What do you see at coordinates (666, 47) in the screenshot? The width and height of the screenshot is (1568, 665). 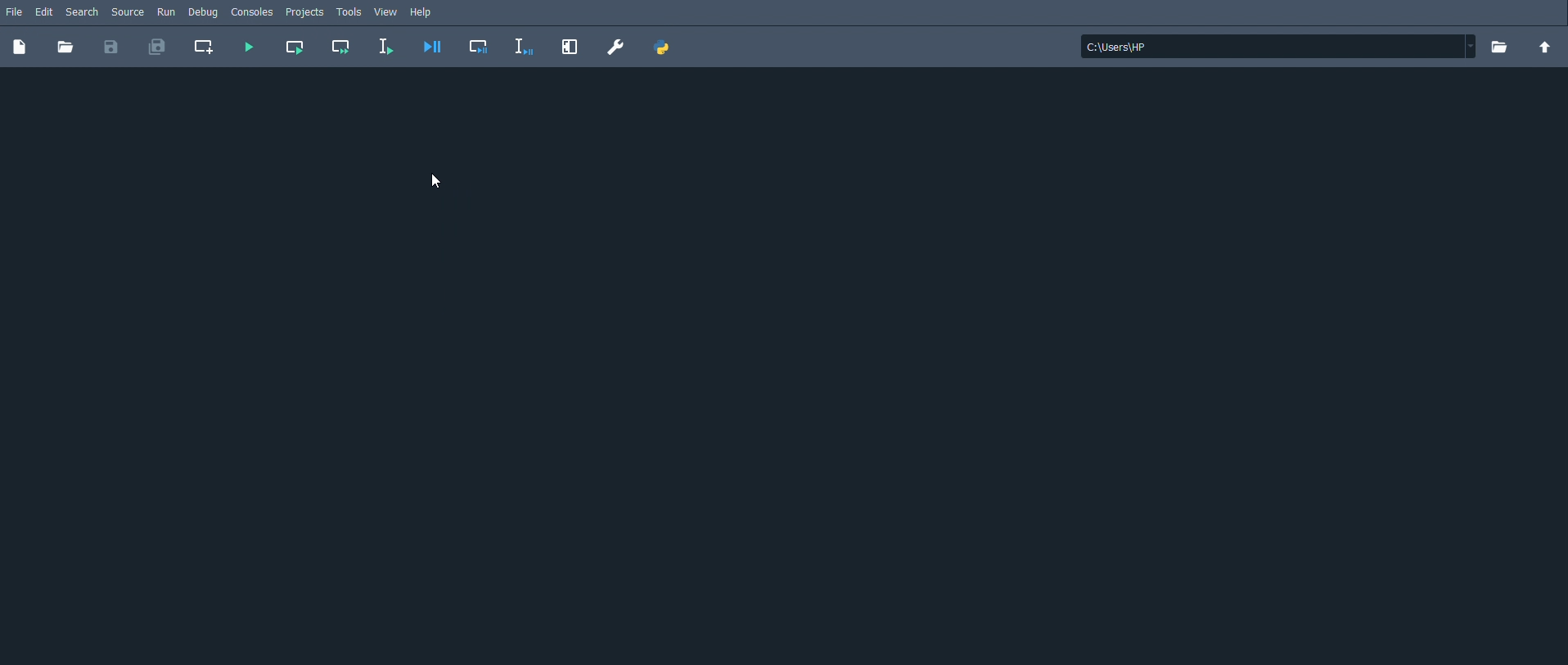 I see `PYTHONPATH manager` at bounding box center [666, 47].